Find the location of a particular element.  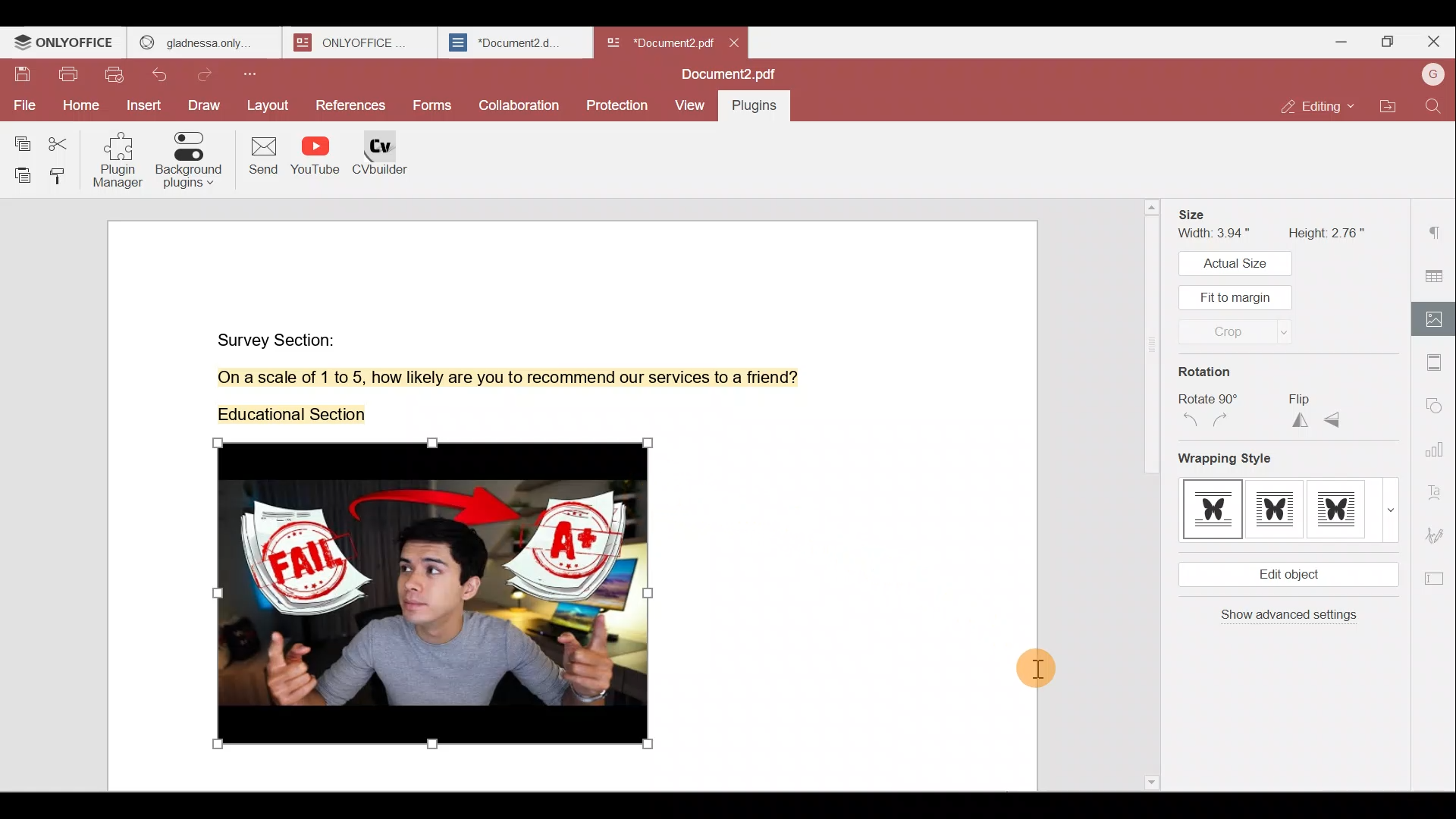

Fit to margin is located at coordinates (1233, 300).